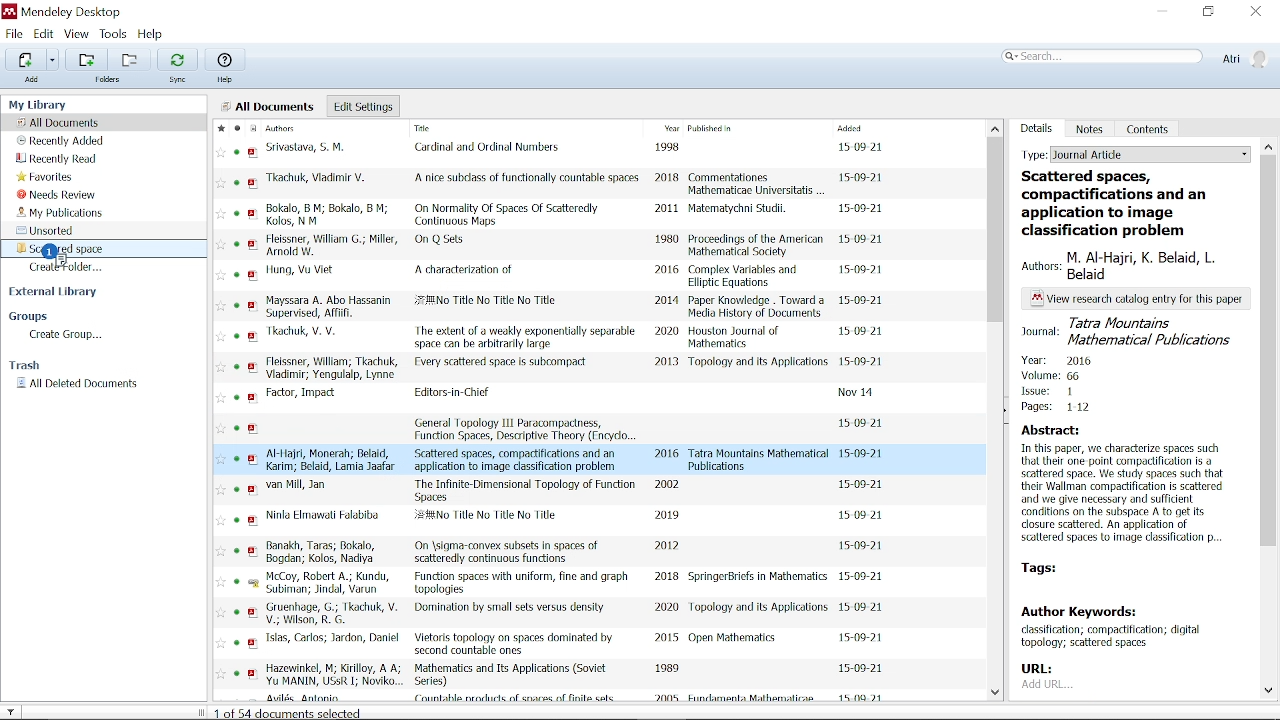  I want to click on 2013, so click(667, 363).